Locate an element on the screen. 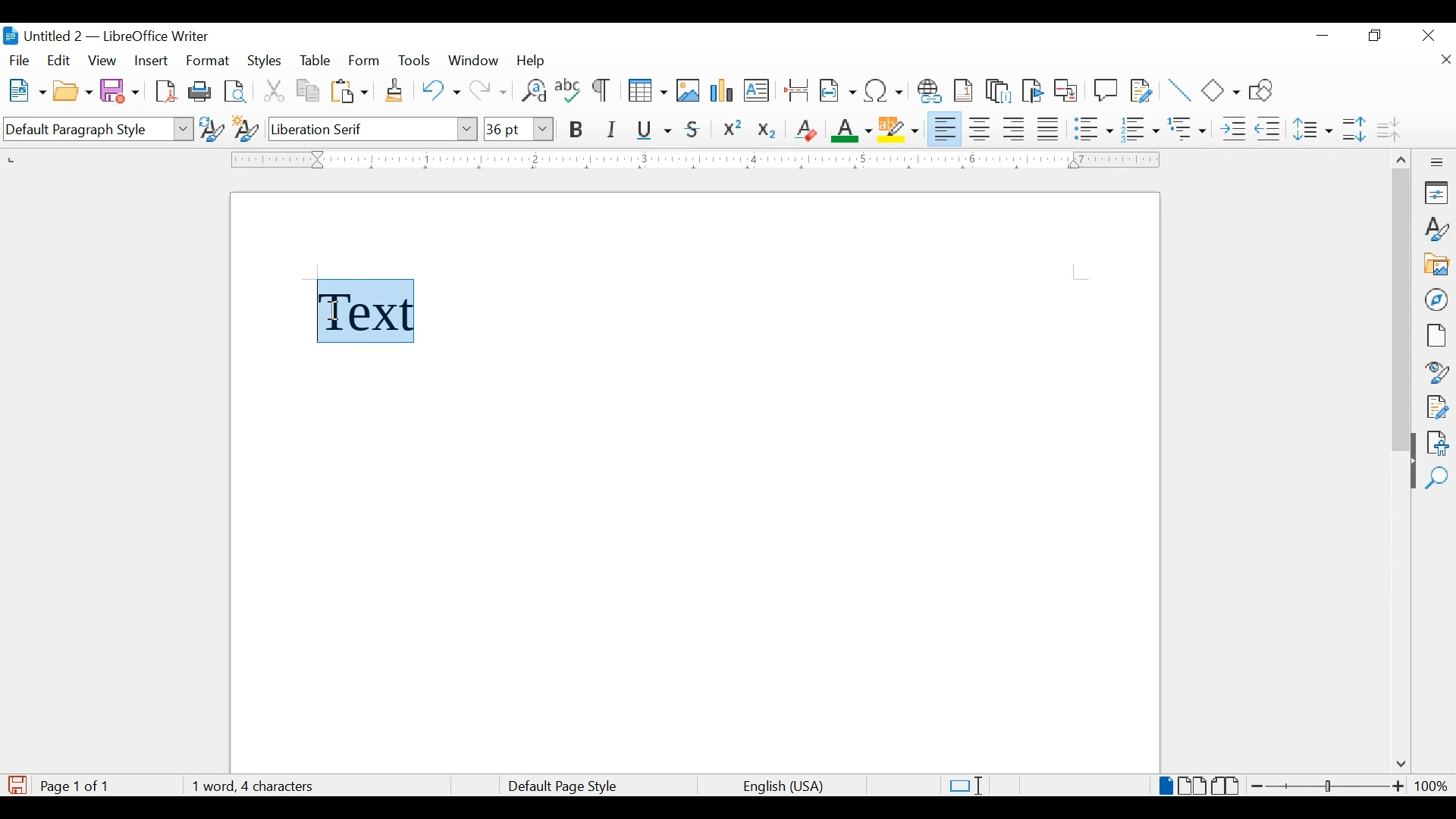 The width and height of the screenshot is (1456, 819). increase indent is located at coordinates (1233, 129).